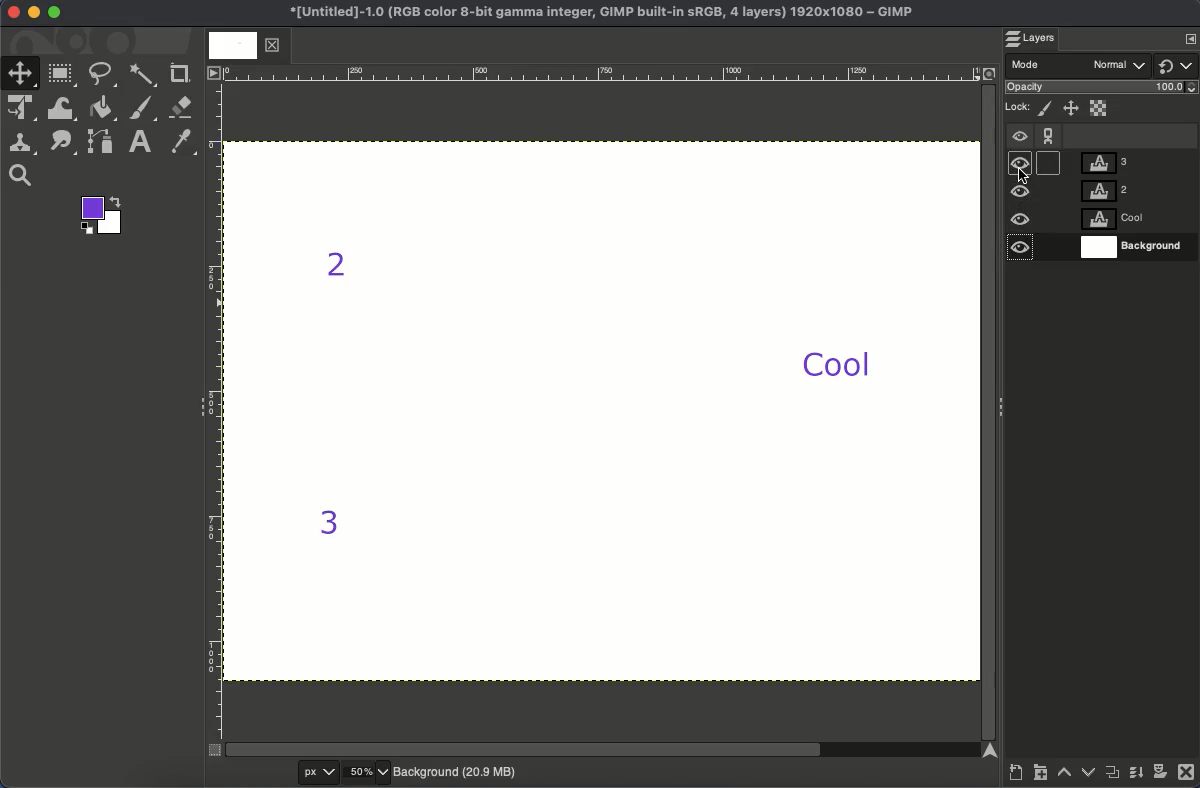 This screenshot has width=1200, height=788. Describe the element at coordinates (601, 73) in the screenshot. I see `Ruler` at that location.